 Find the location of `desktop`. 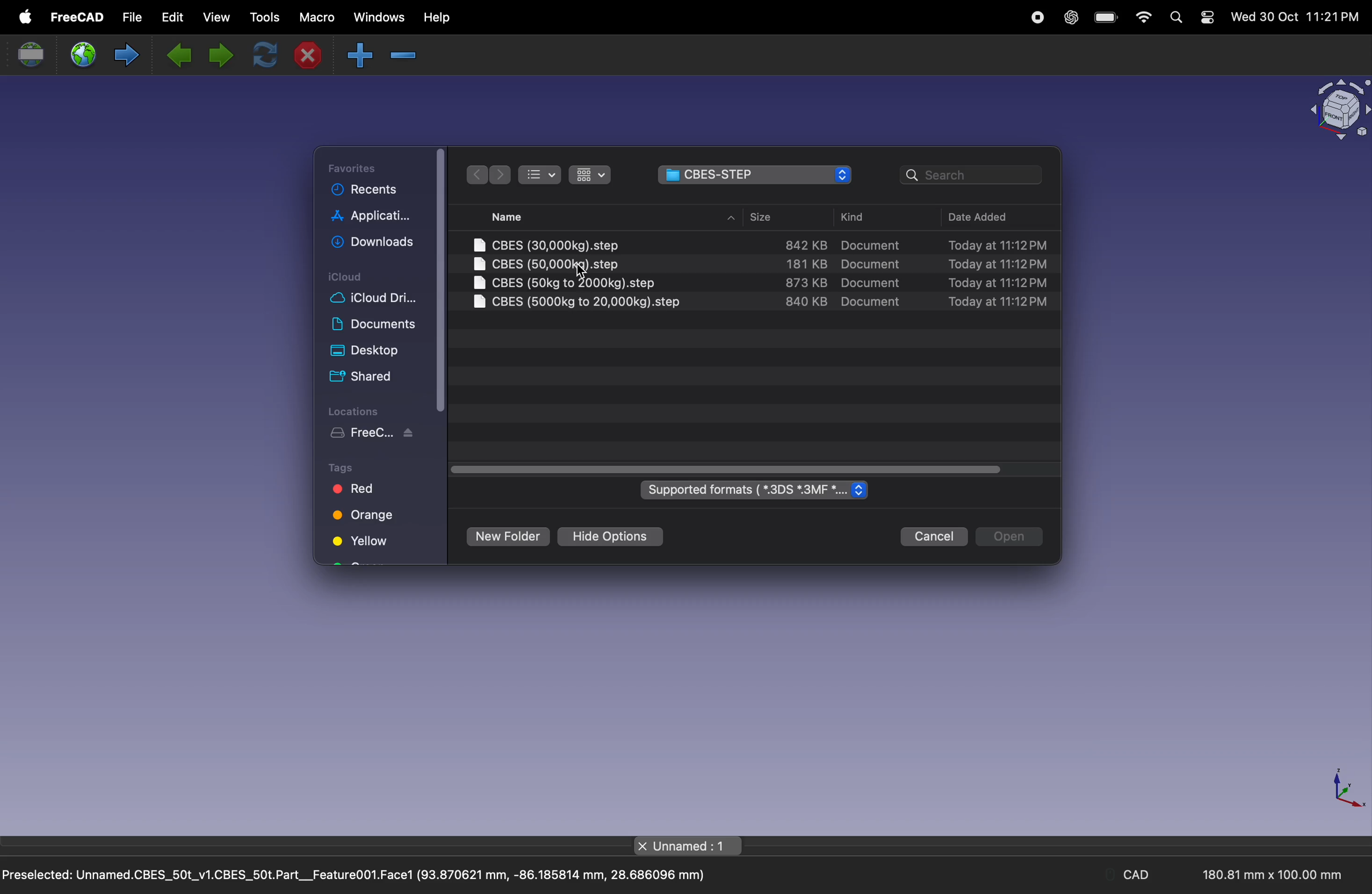

desktop is located at coordinates (367, 352).